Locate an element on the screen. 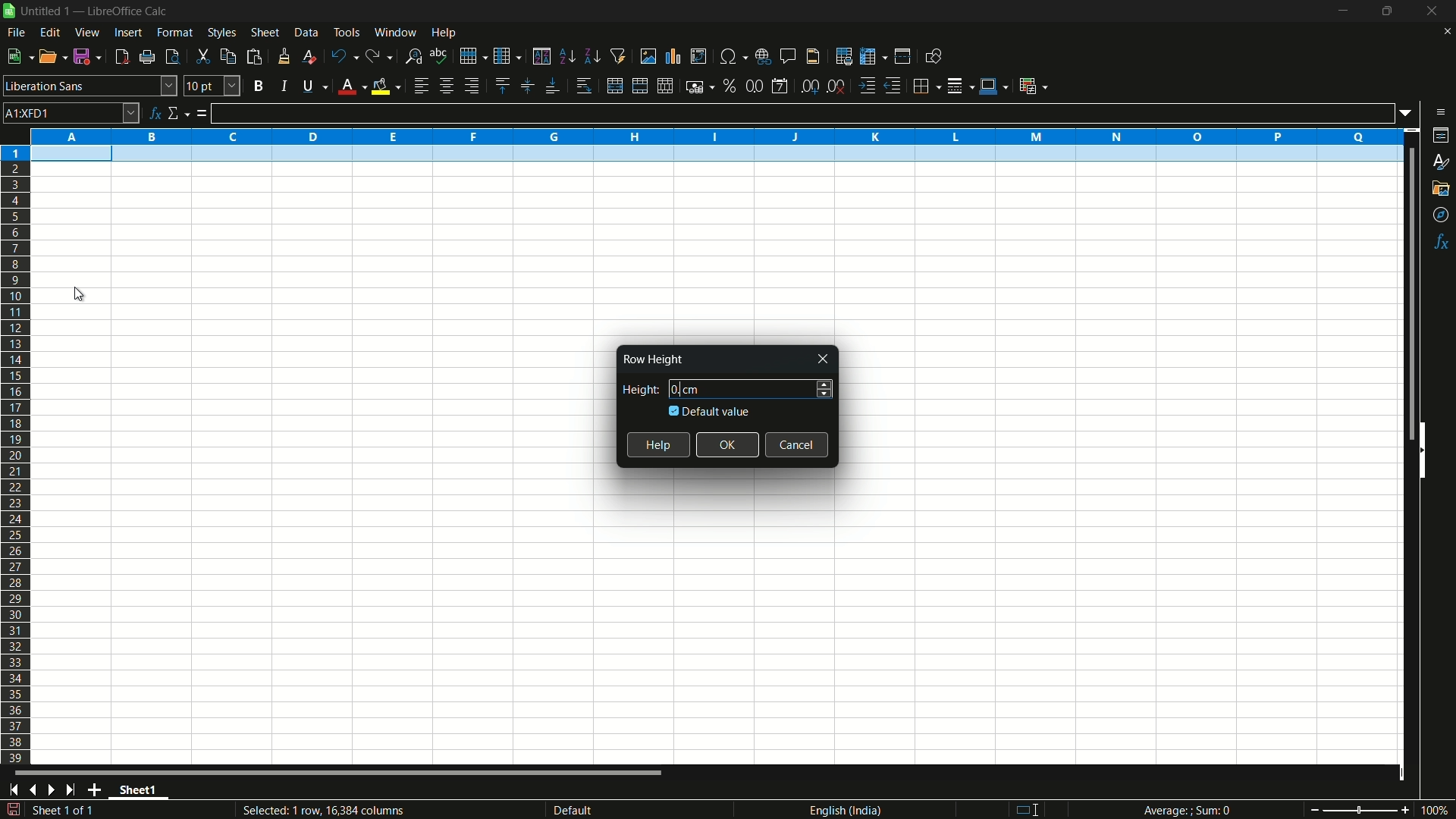 This screenshot has height=819, width=1456. standard selection is located at coordinates (1033, 809).